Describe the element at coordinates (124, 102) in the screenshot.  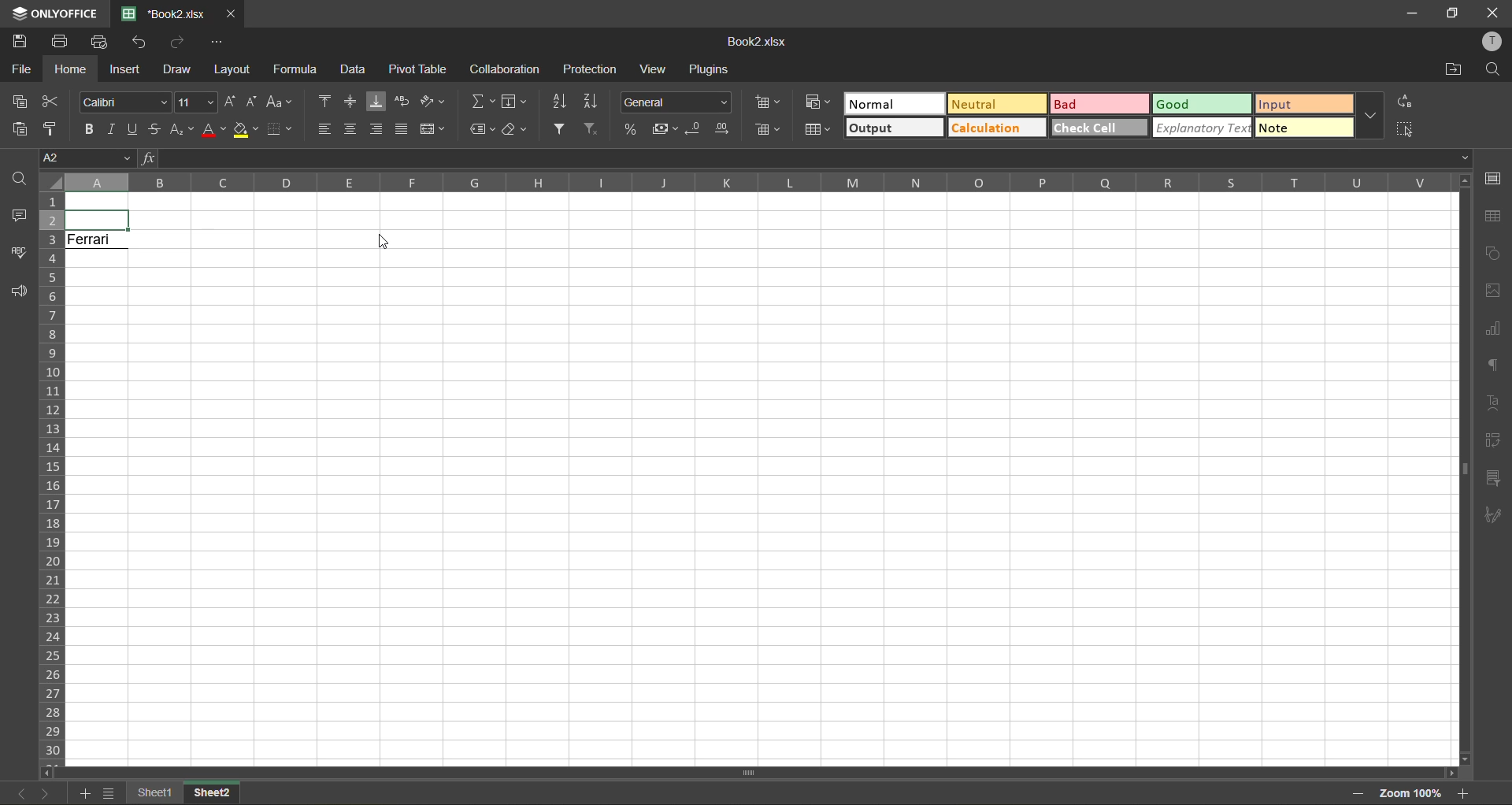
I see `font style` at that location.